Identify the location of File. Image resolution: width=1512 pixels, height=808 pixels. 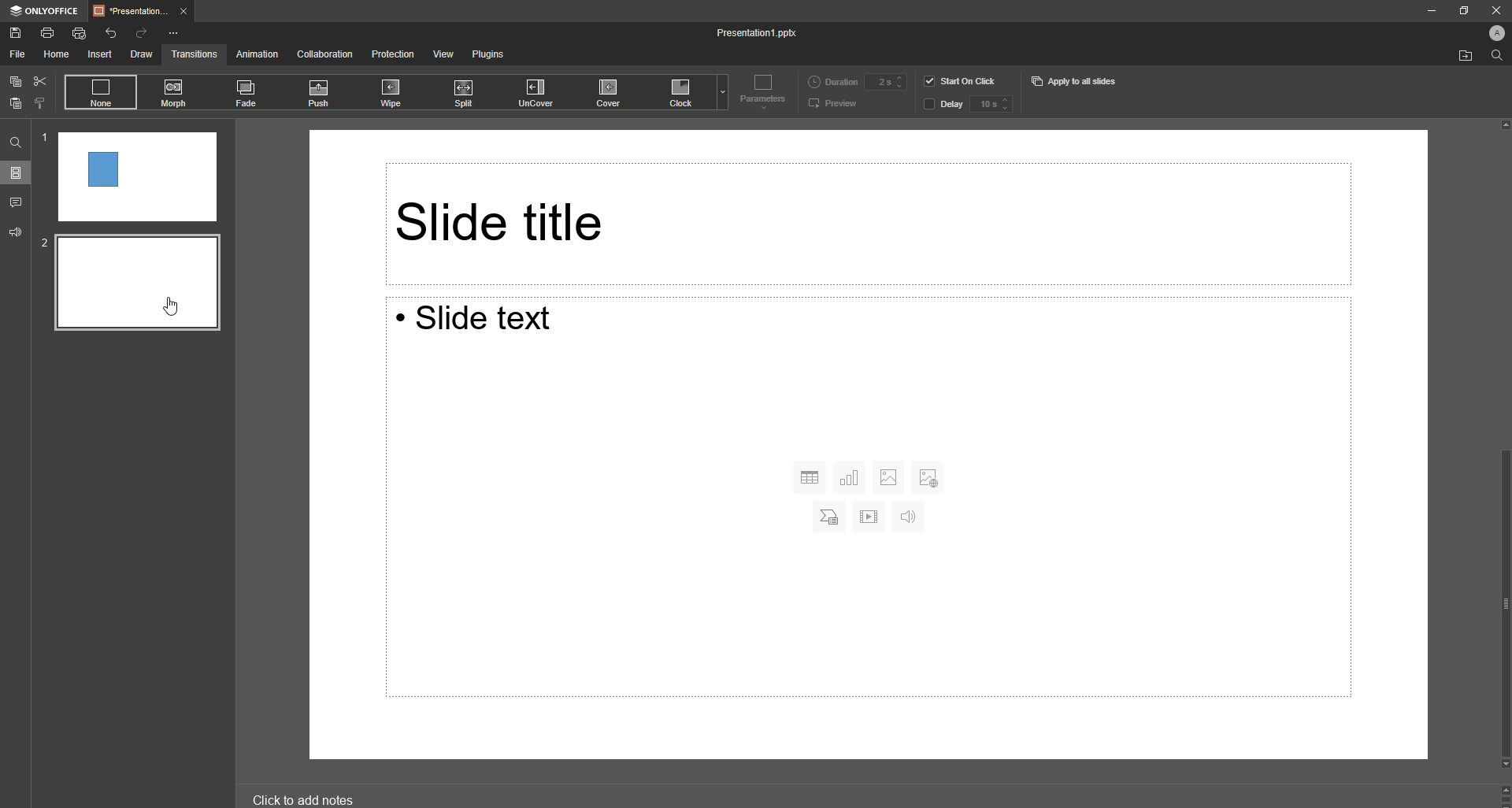
(17, 54).